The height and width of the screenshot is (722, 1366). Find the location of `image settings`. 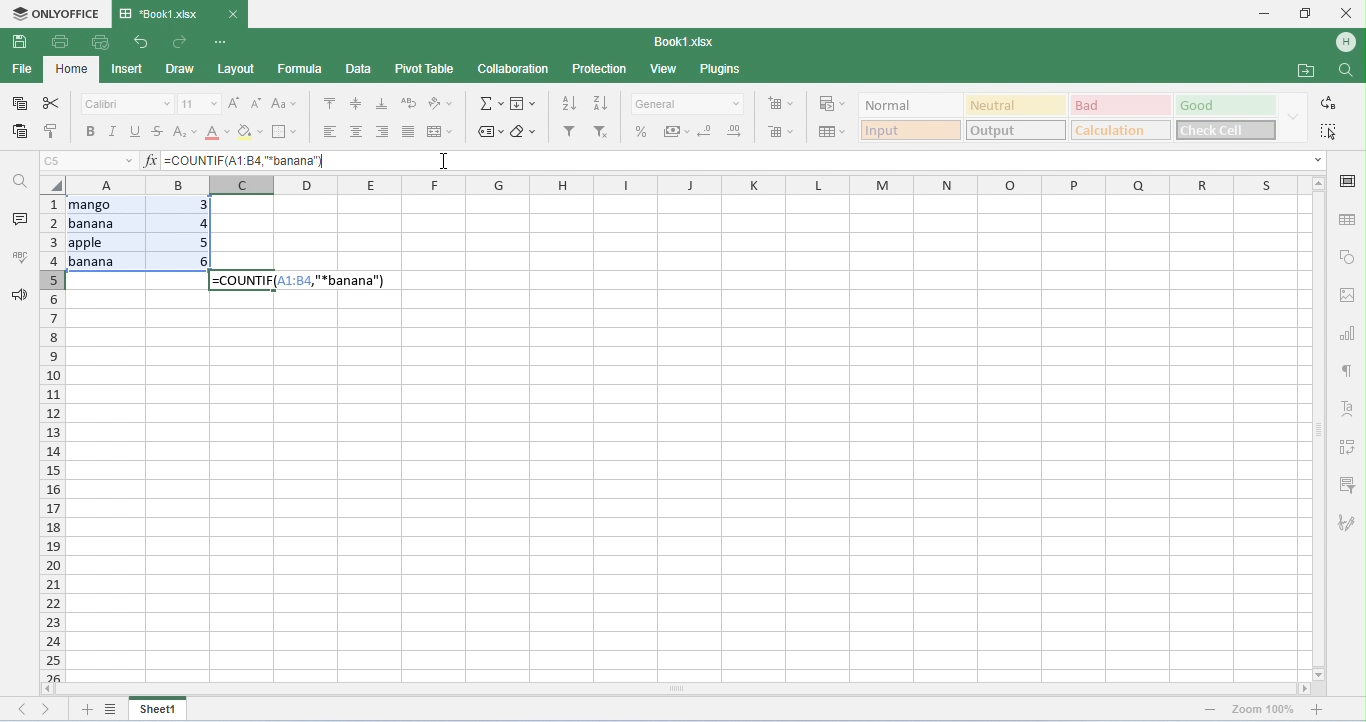

image settings is located at coordinates (1350, 297).